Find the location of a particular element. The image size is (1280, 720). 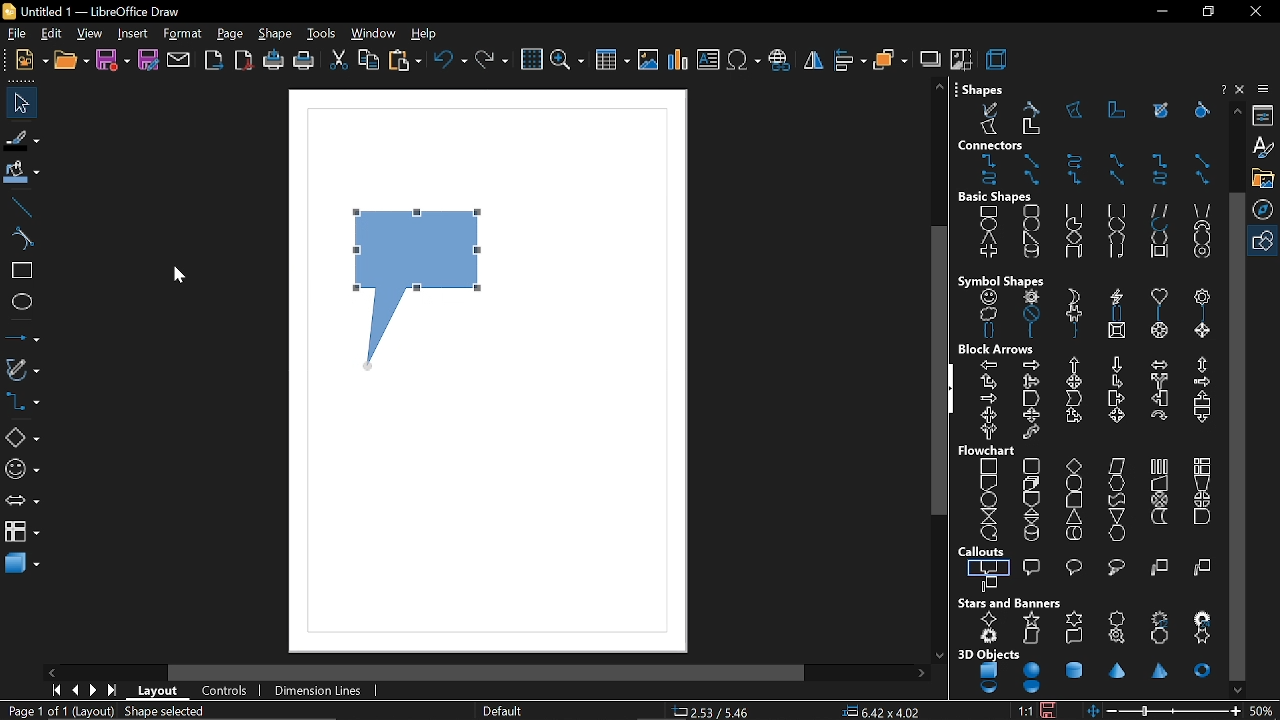

decision is located at coordinates (1074, 465).